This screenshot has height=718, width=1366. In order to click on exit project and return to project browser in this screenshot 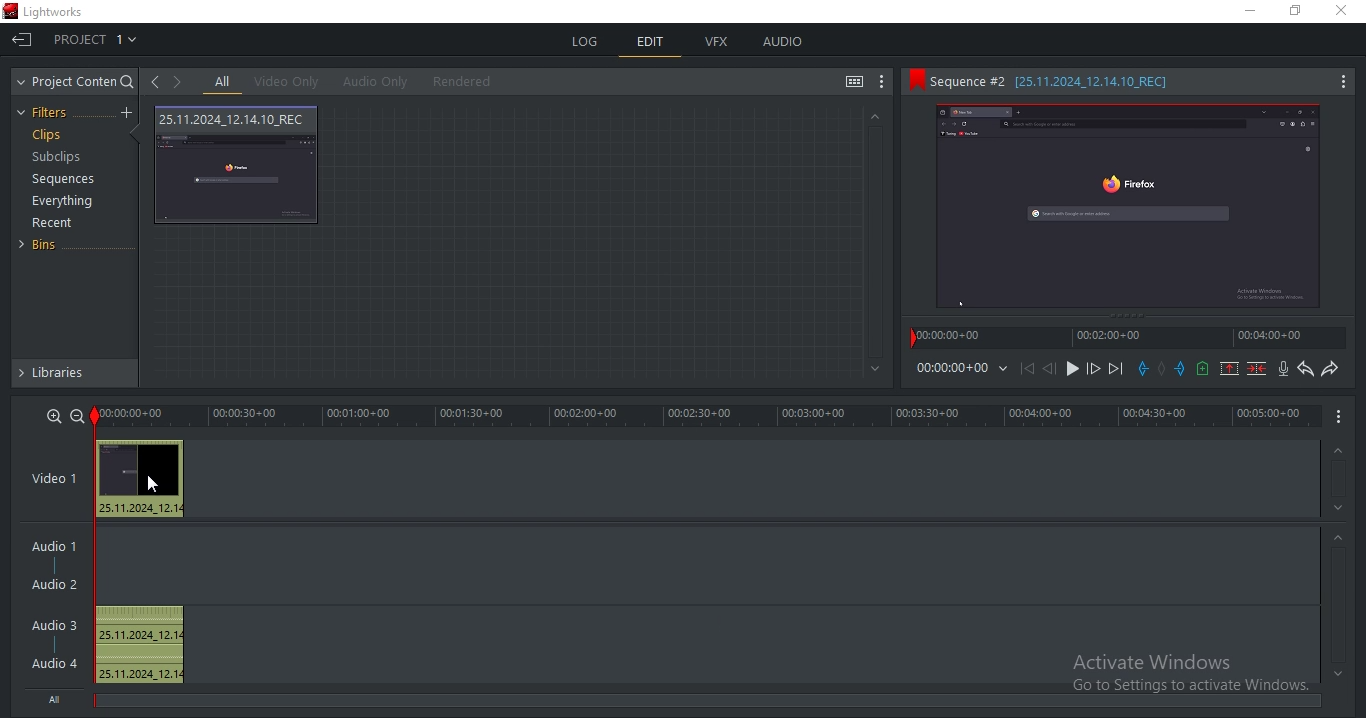, I will do `click(22, 42)`.